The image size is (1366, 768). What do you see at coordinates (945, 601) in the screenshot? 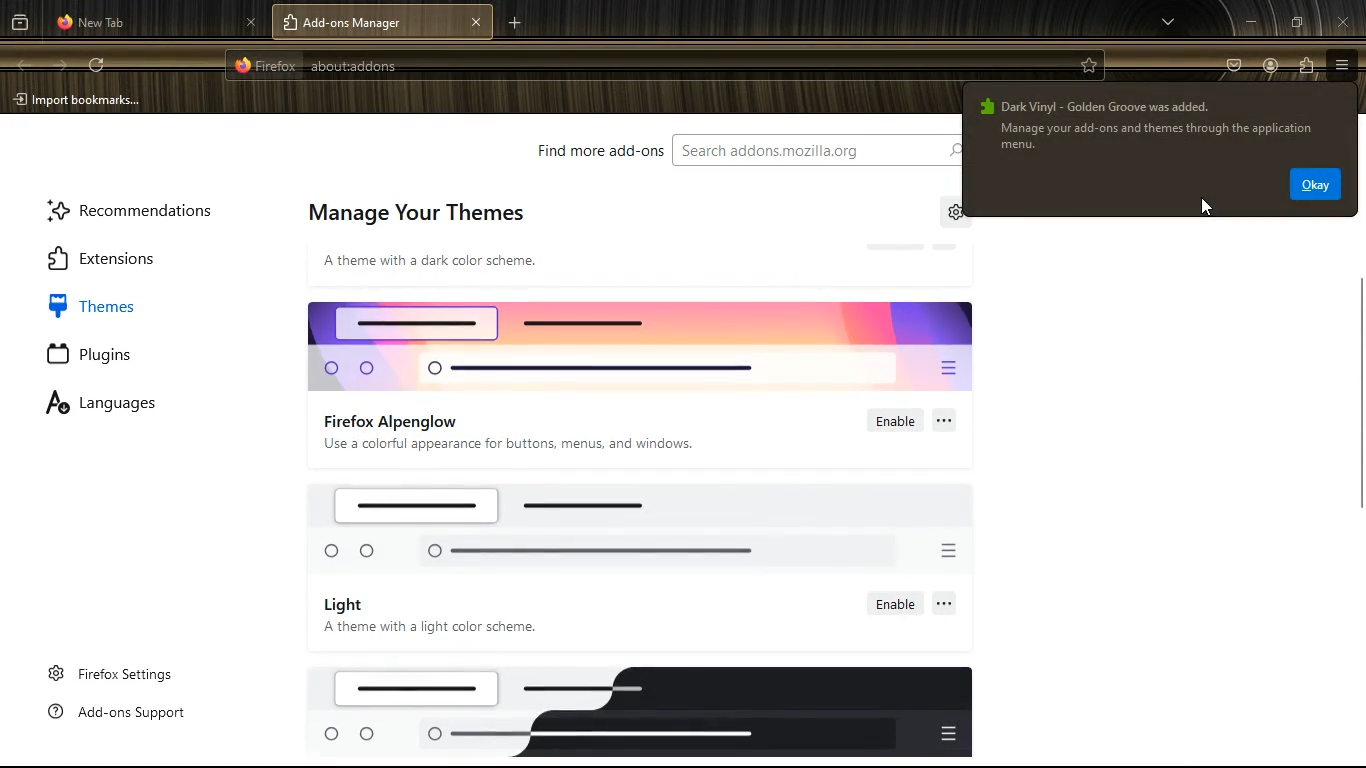
I see `More` at bounding box center [945, 601].